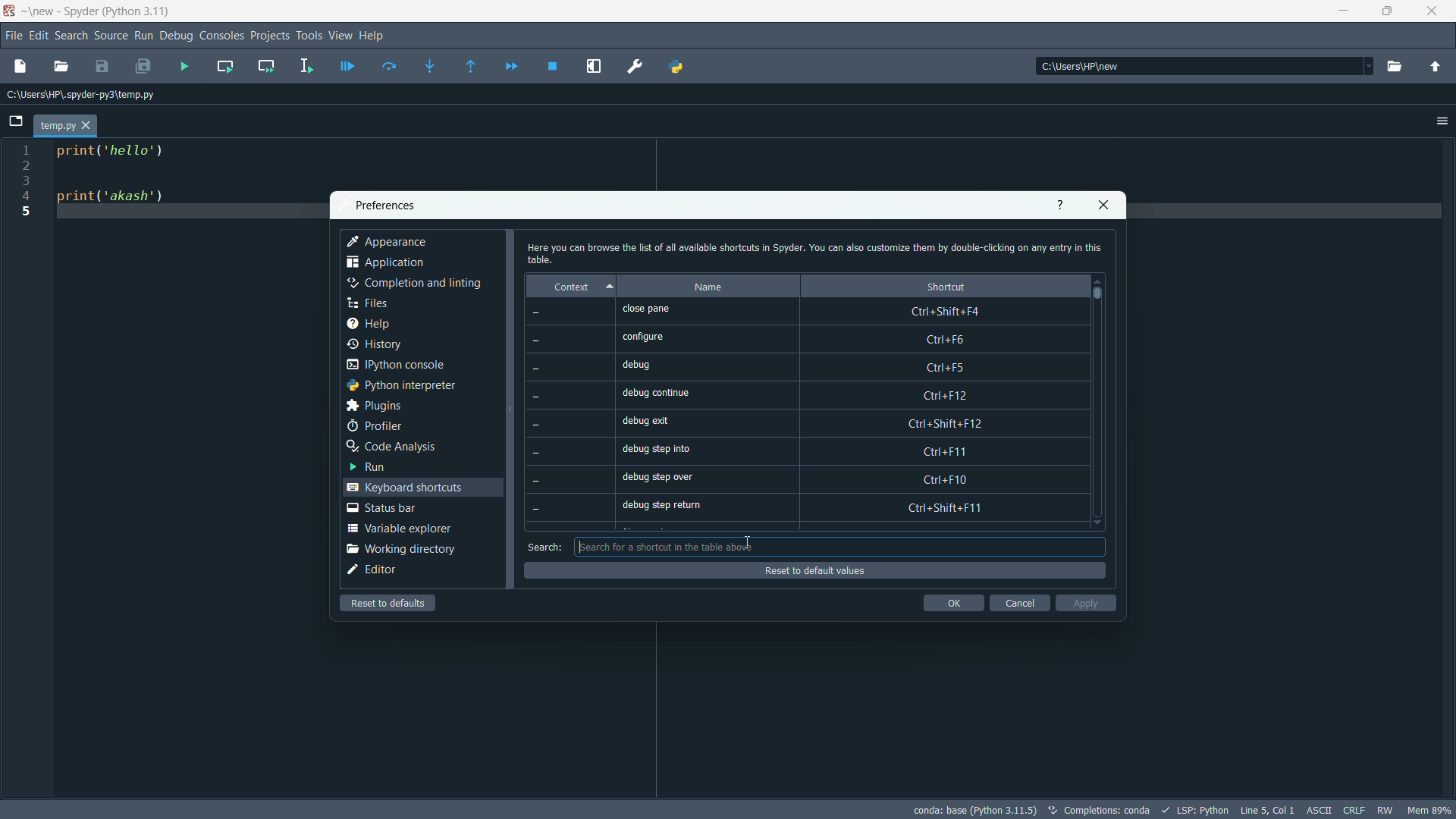 The width and height of the screenshot is (1456, 819). What do you see at coordinates (1436, 67) in the screenshot?
I see `parent directory` at bounding box center [1436, 67].